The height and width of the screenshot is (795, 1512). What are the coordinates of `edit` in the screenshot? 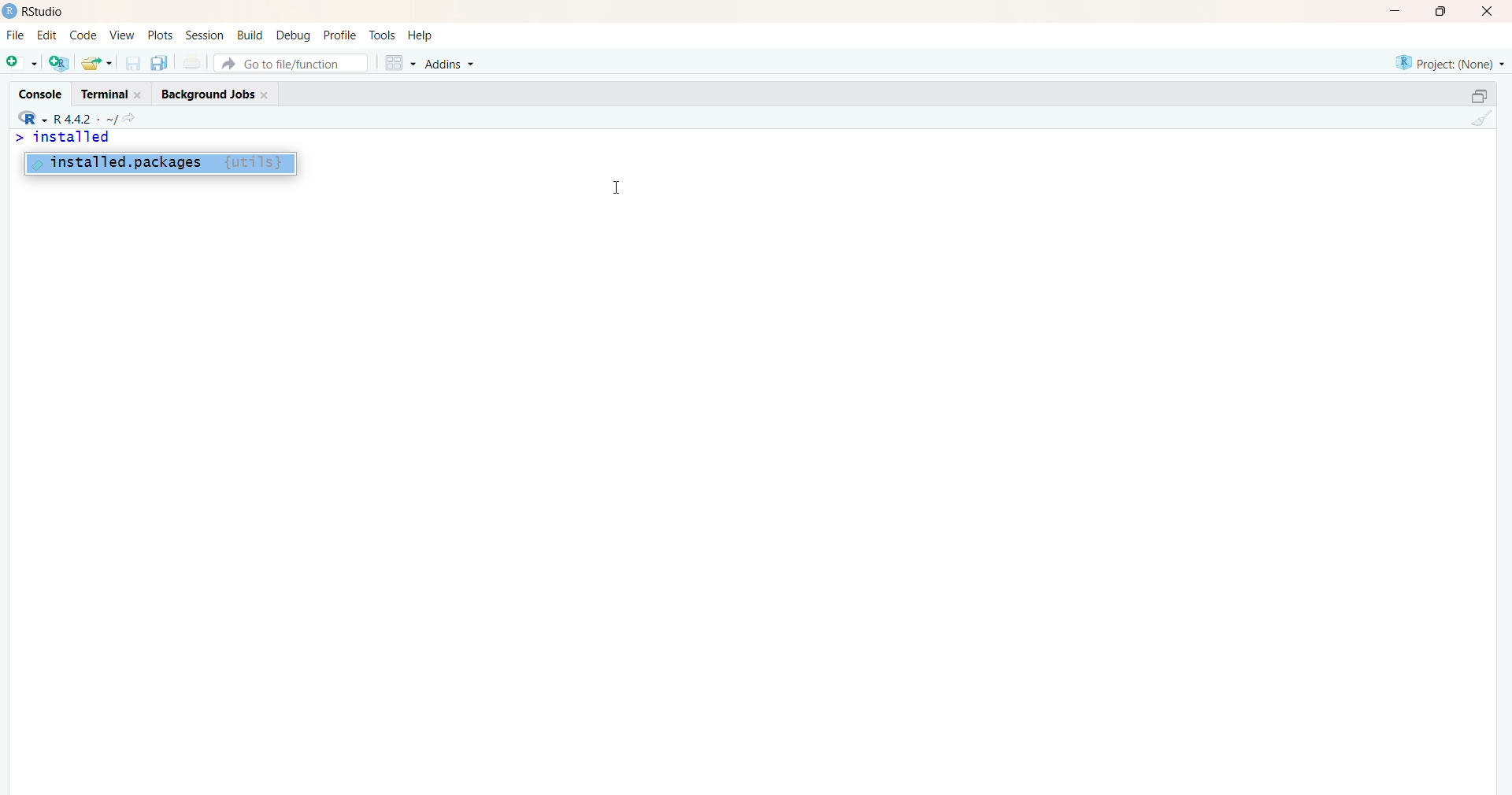 It's located at (48, 35).